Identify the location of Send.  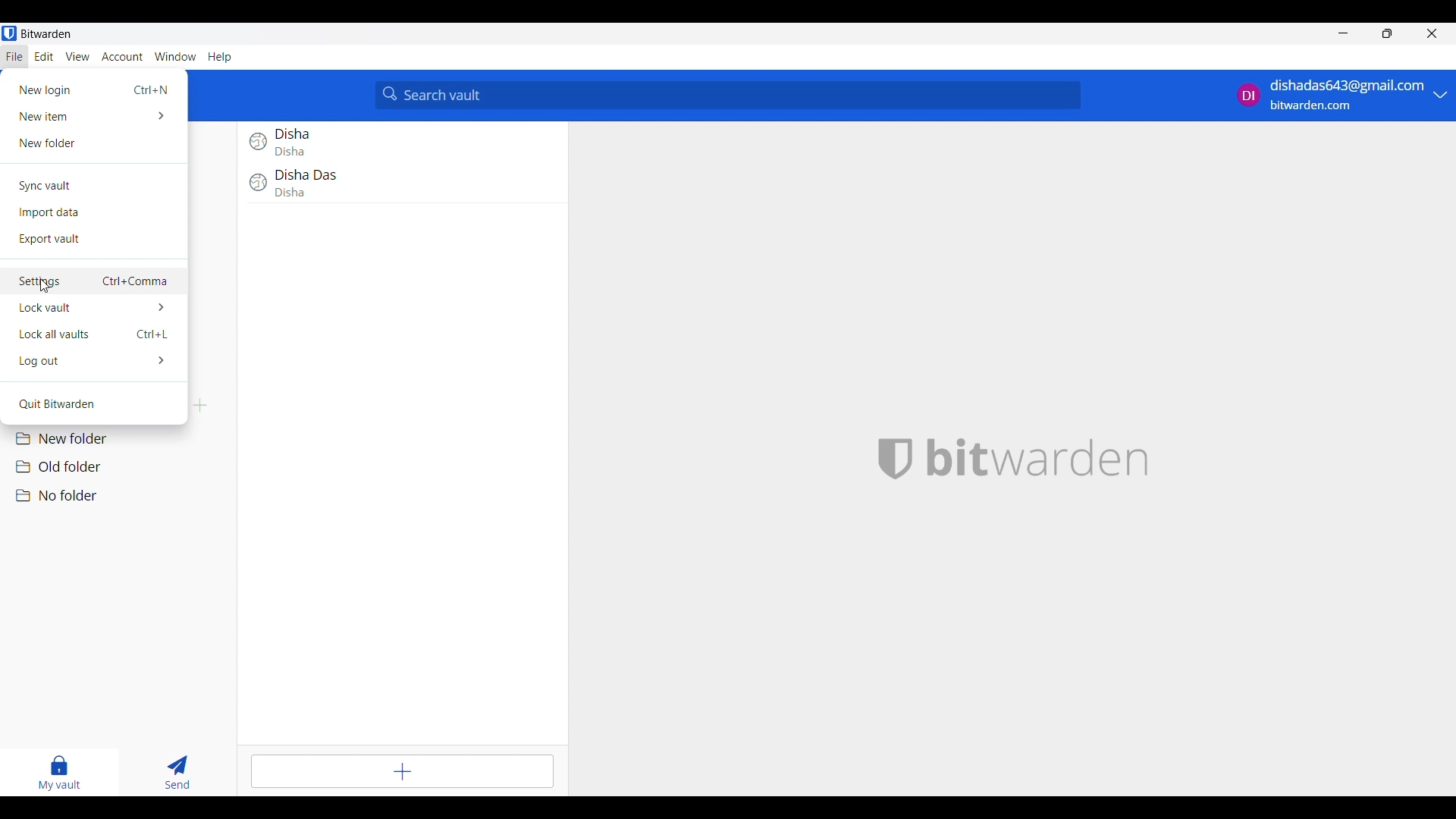
(178, 773).